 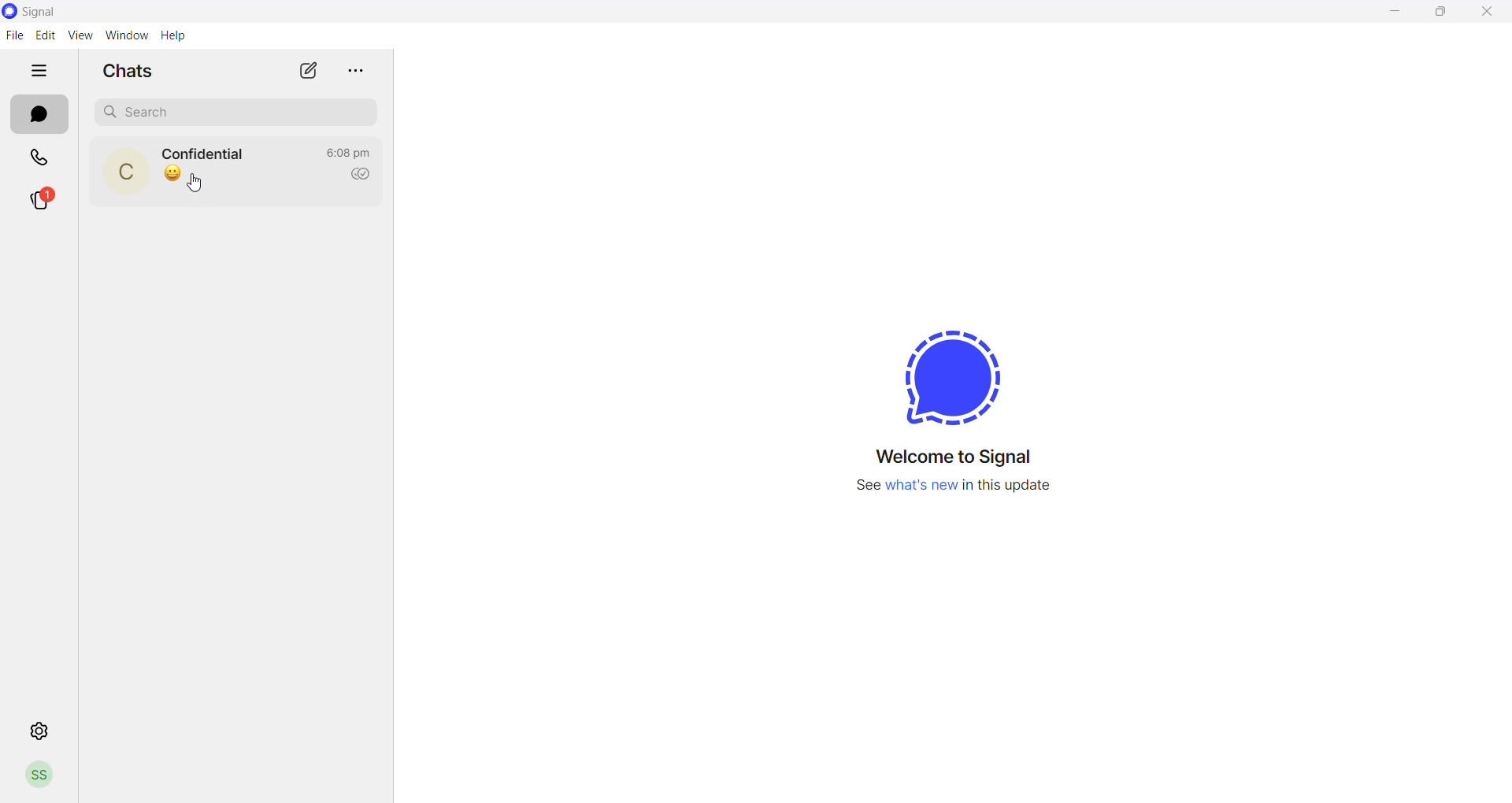 What do you see at coordinates (362, 72) in the screenshot?
I see `more options` at bounding box center [362, 72].